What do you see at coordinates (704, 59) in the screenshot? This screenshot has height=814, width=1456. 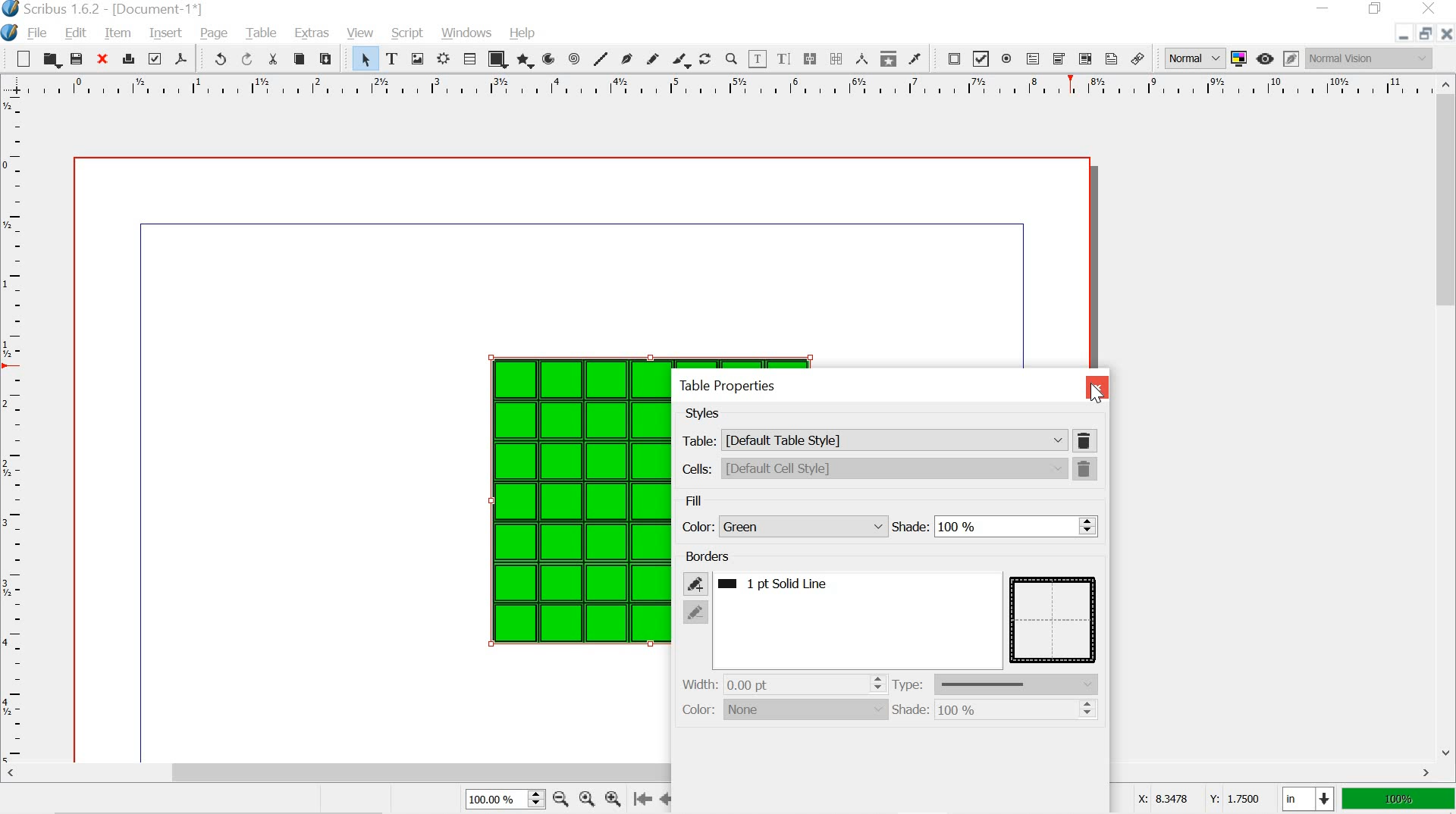 I see `rotate item` at bounding box center [704, 59].